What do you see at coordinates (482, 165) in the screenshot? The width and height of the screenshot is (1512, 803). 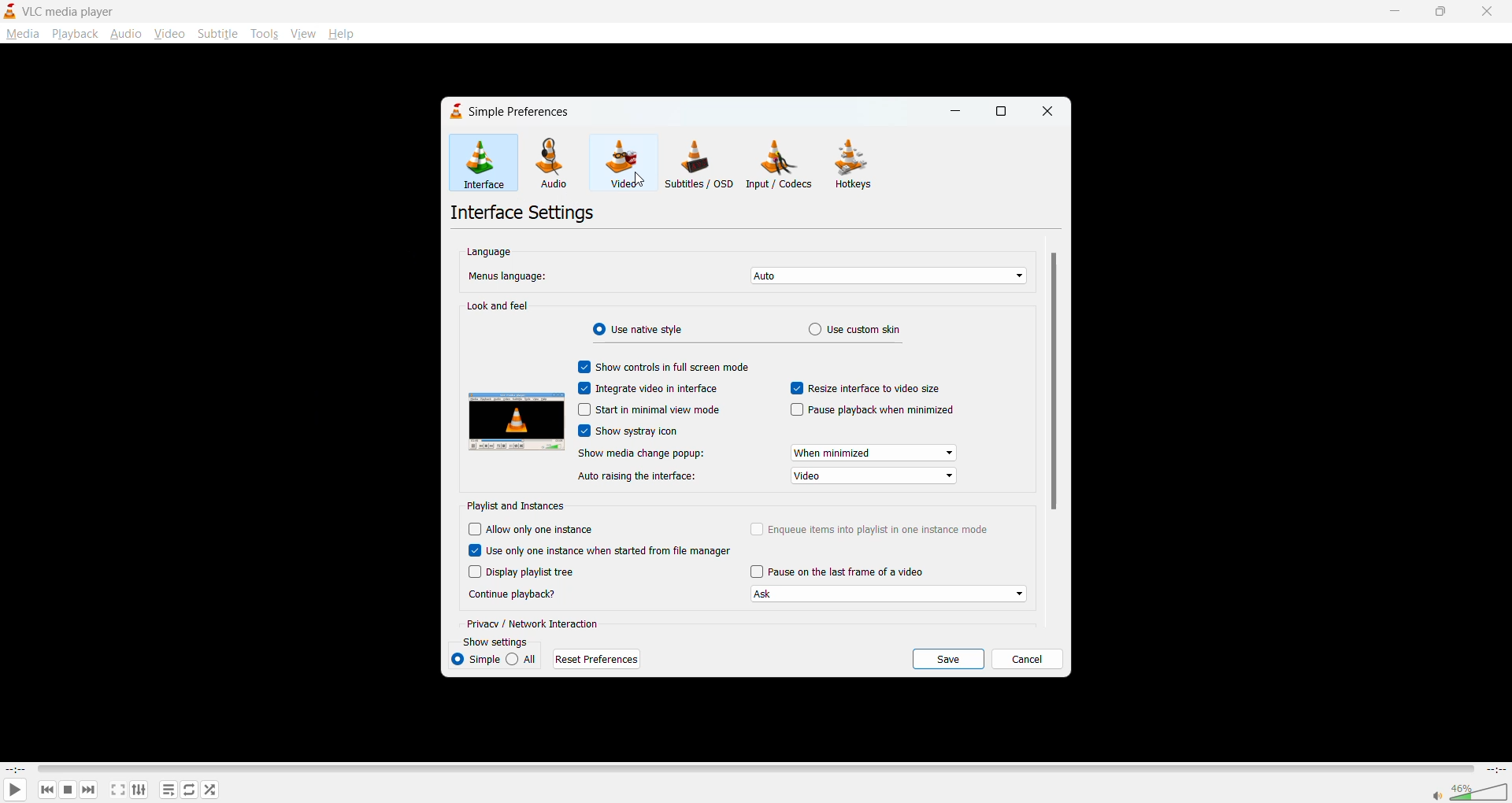 I see `interface` at bounding box center [482, 165].